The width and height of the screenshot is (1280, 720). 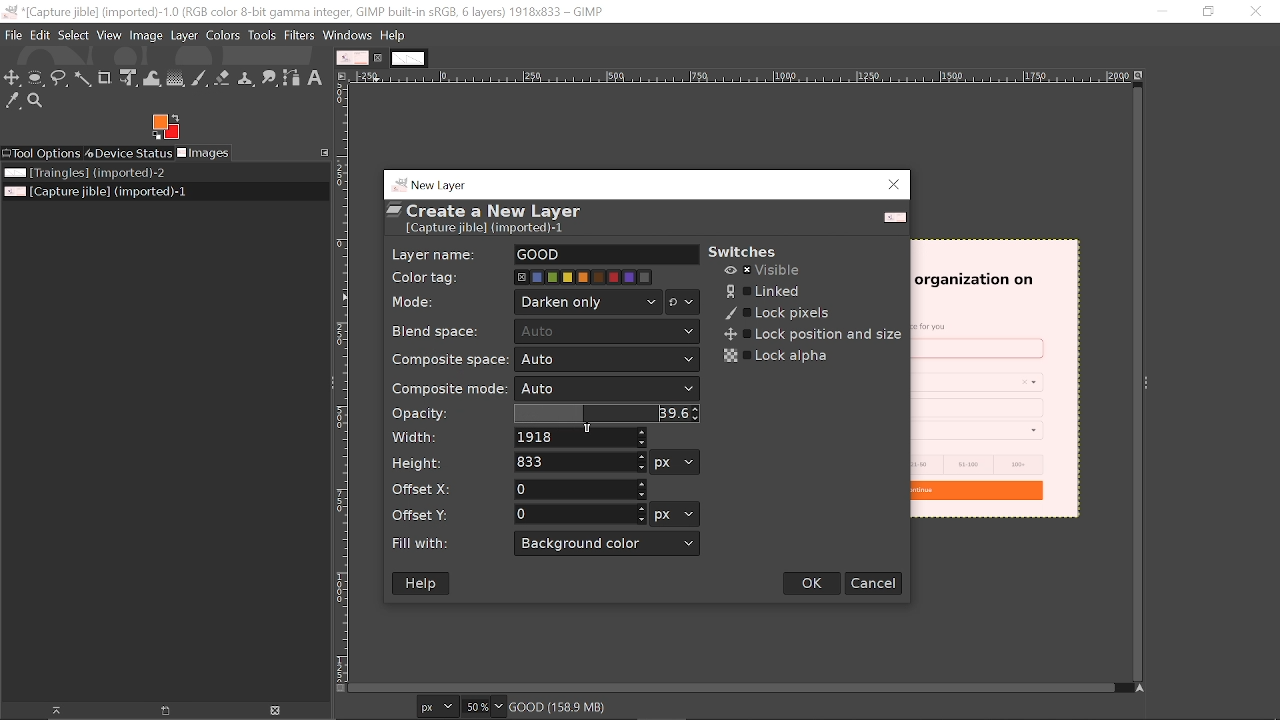 I want to click on Fuzzy select tool, so click(x=81, y=81).